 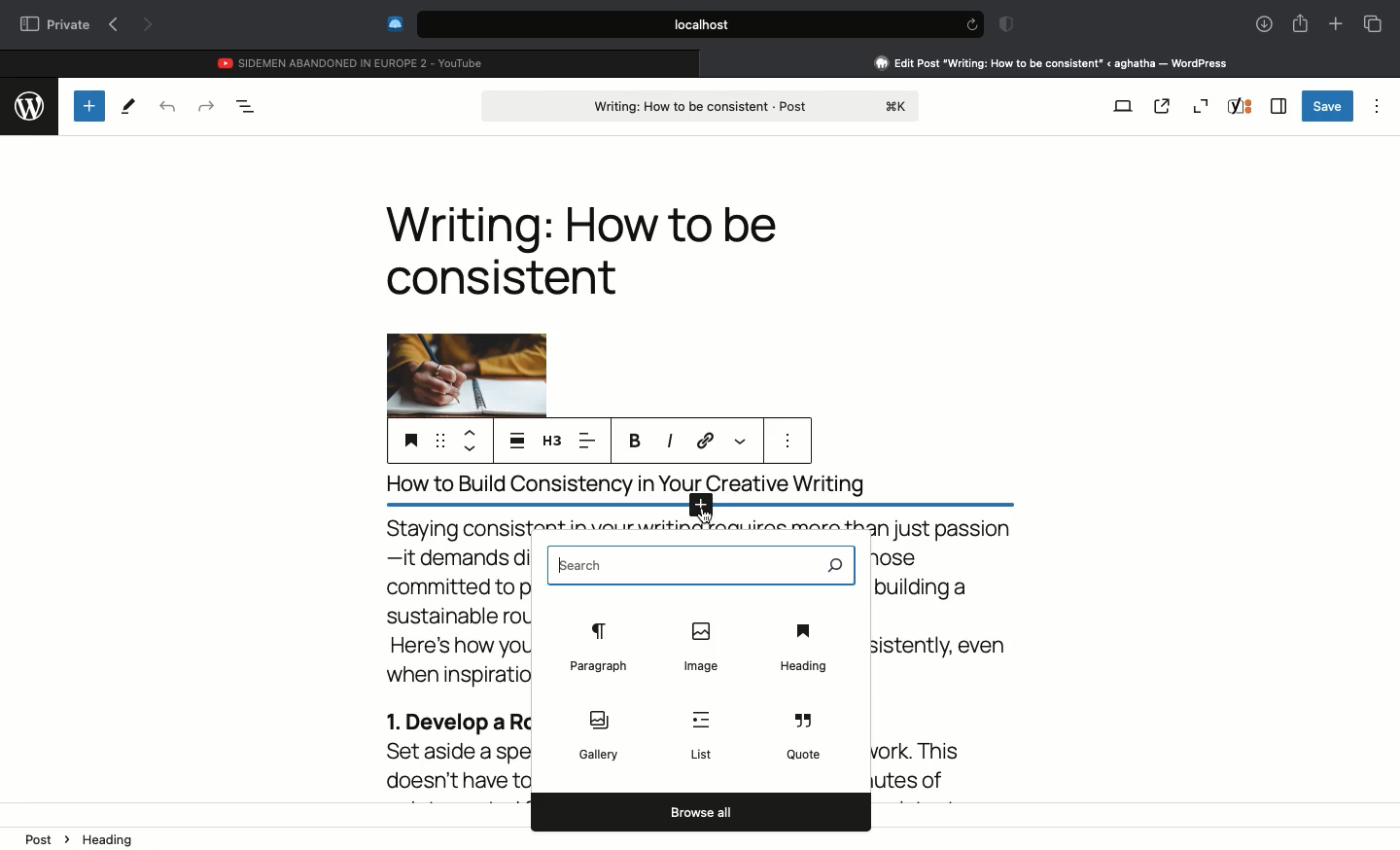 I want to click on Zoom out, so click(x=1200, y=106).